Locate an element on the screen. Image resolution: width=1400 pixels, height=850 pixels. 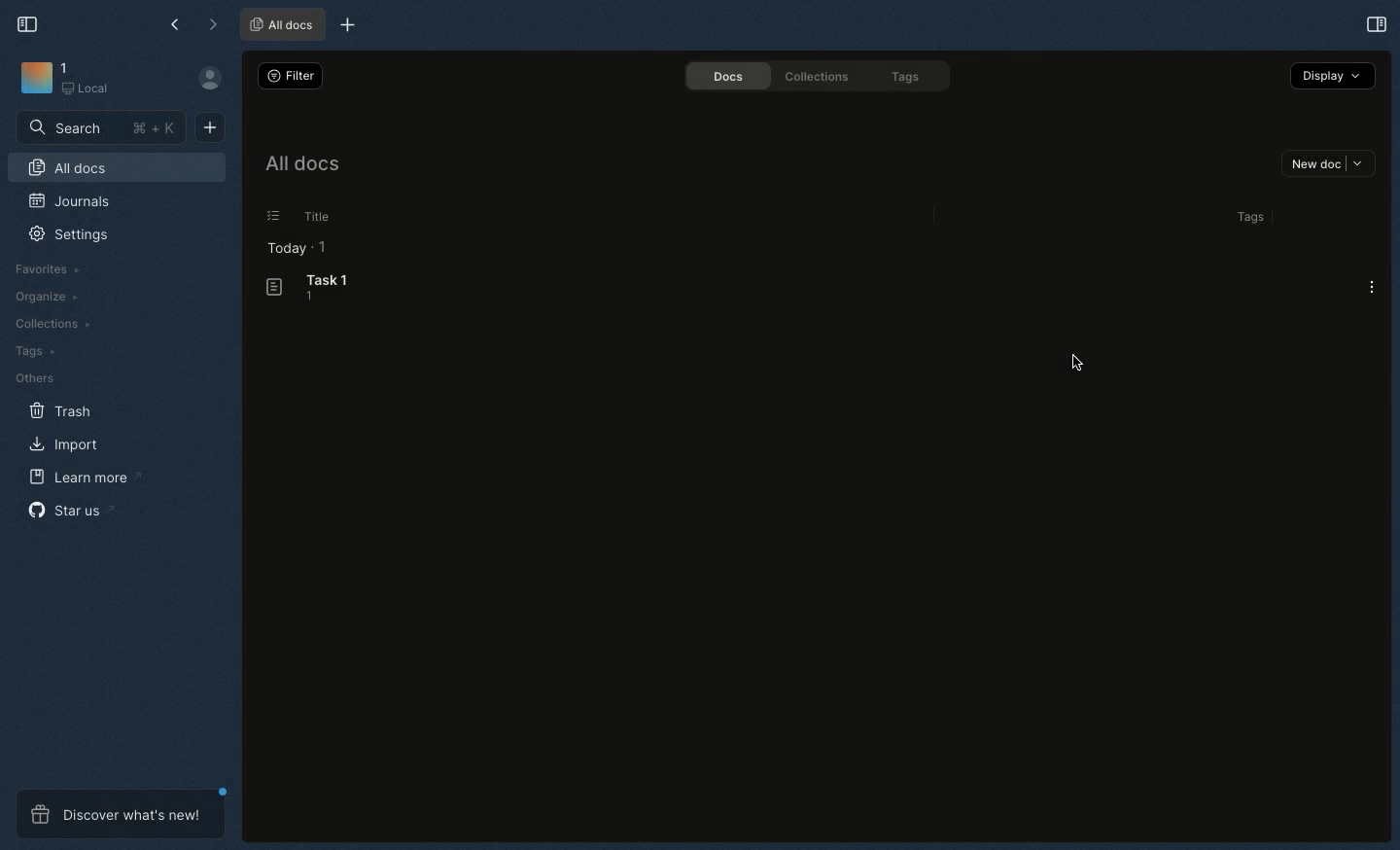
Expand sidebar is located at coordinates (1376, 23).